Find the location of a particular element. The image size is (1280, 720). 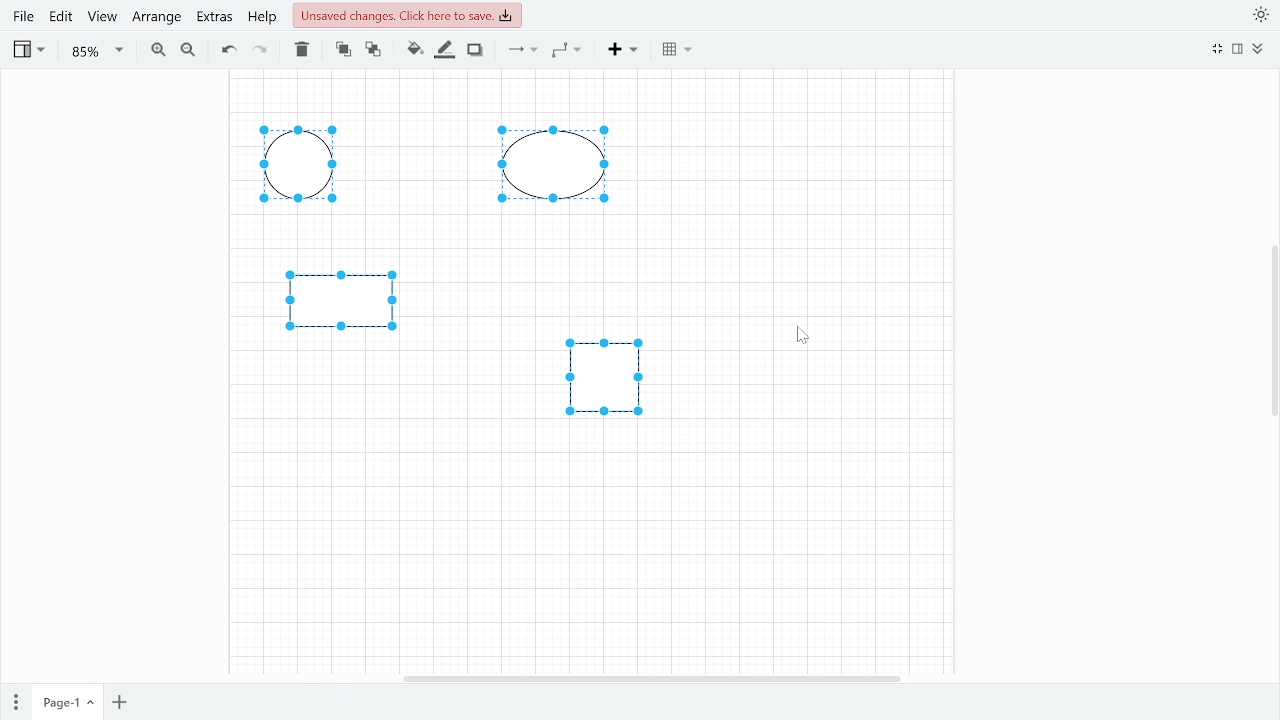

Zoom is located at coordinates (97, 52).